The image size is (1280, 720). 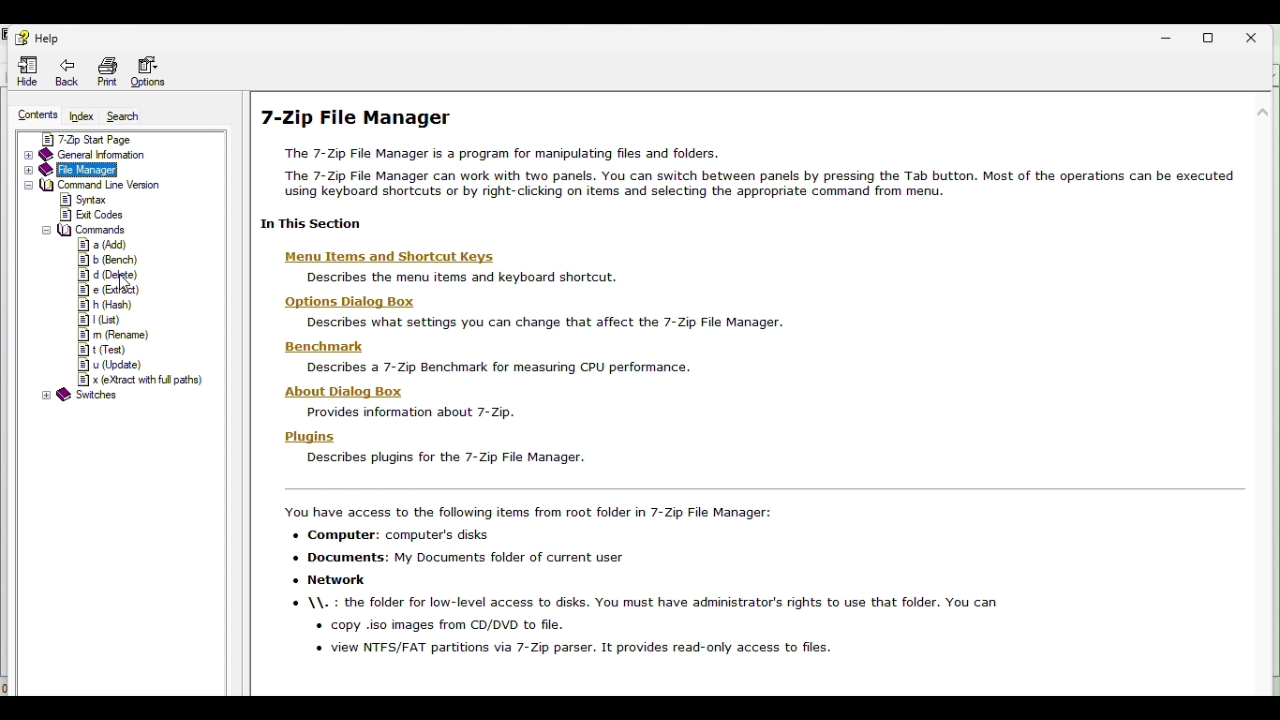 What do you see at coordinates (118, 335) in the screenshot?
I see `m` at bounding box center [118, 335].